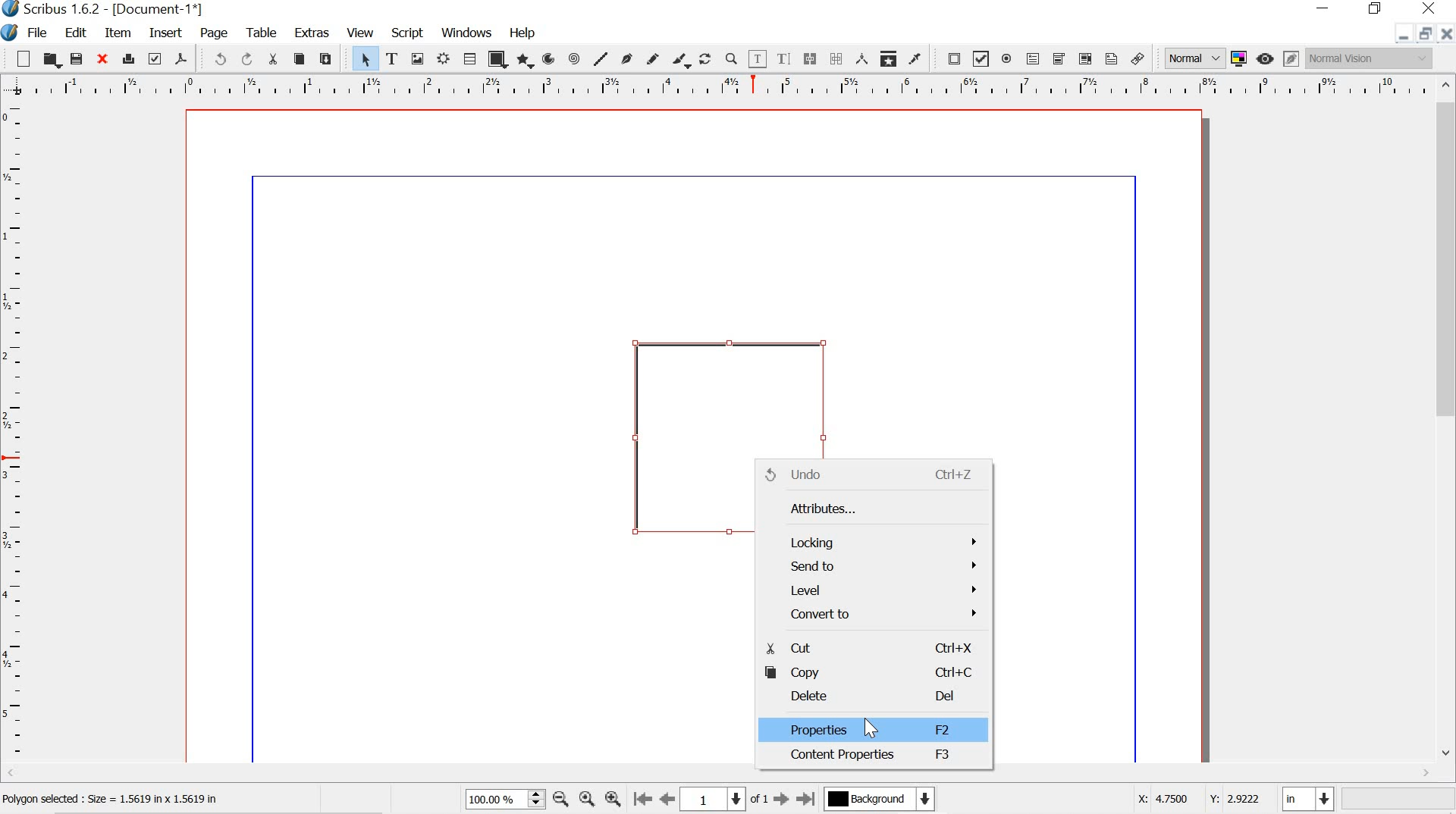  Describe the element at coordinates (613, 800) in the screenshot. I see `zoom in` at that location.